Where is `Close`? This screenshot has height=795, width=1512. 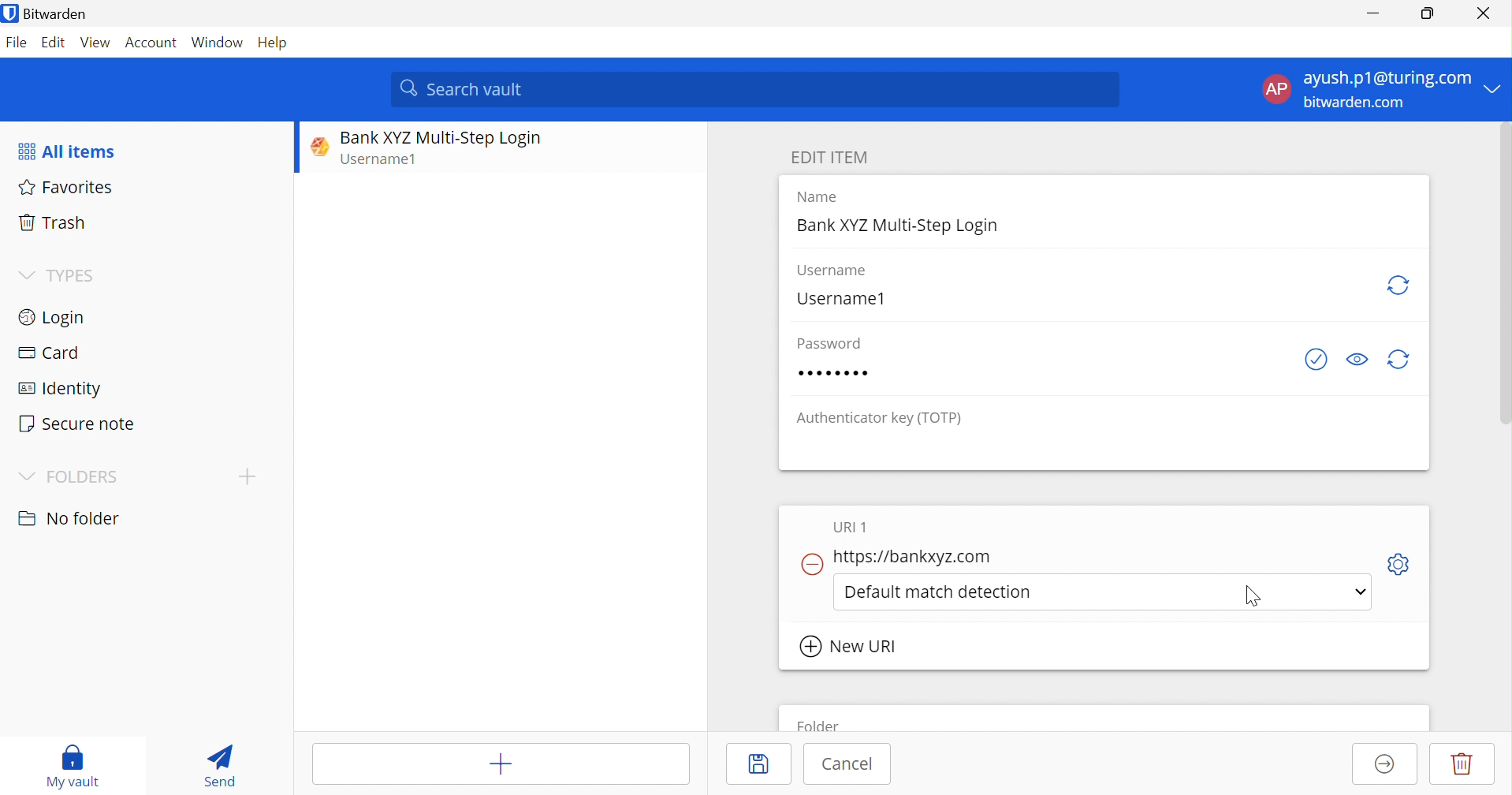
Close is located at coordinates (1487, 13).